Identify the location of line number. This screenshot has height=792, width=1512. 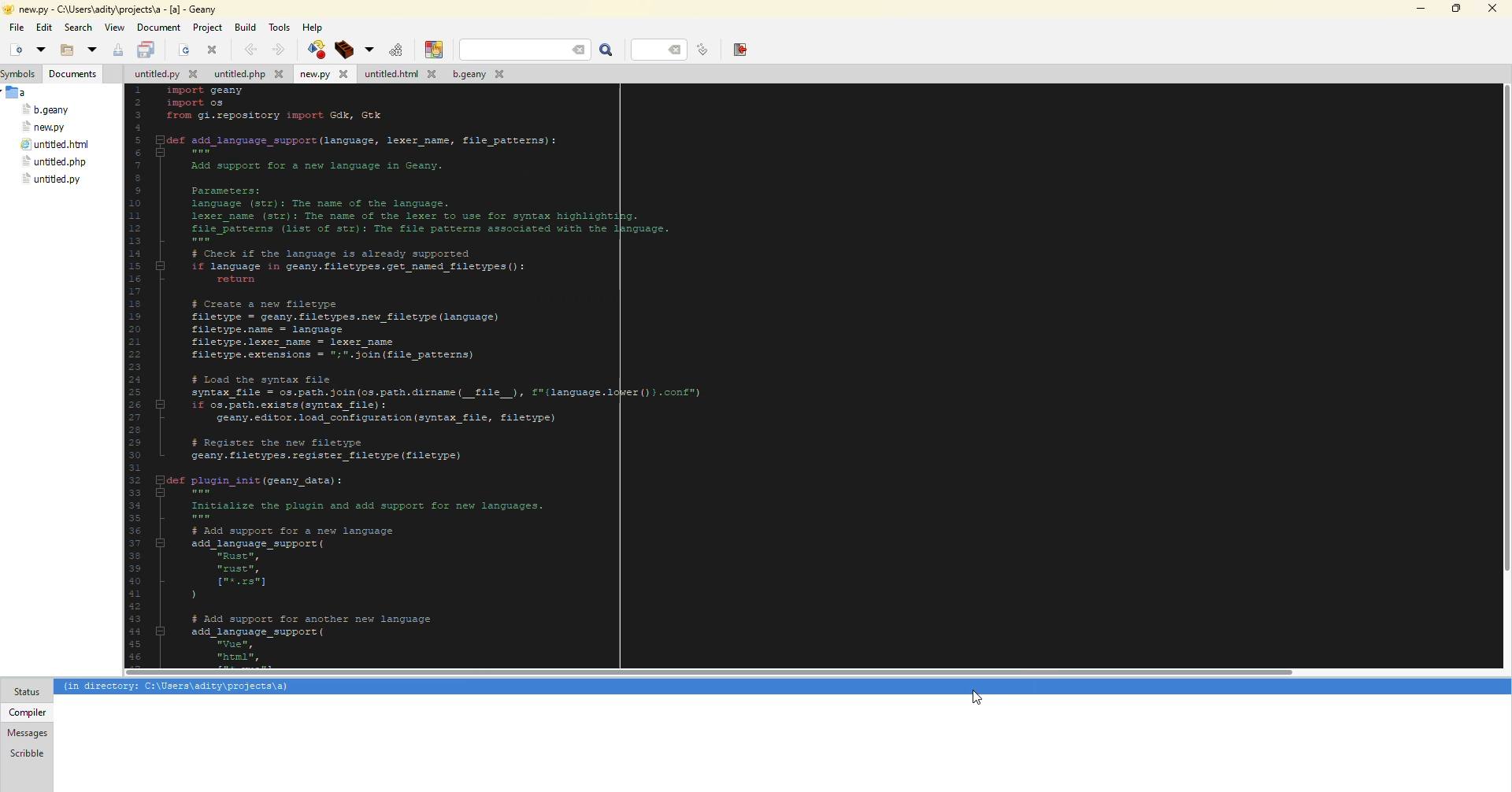
(663, 49).